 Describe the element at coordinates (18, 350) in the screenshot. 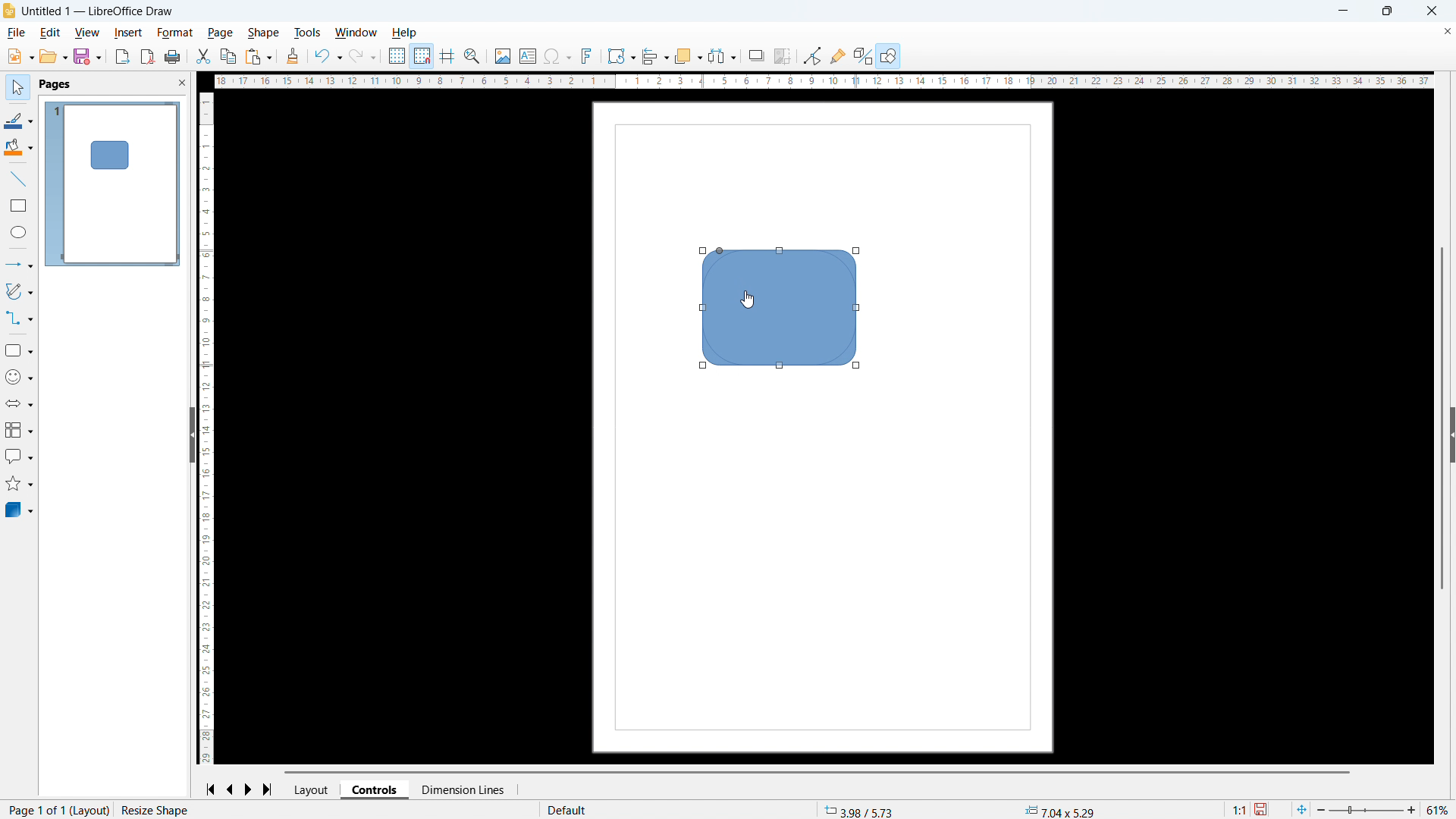

I see `Basic shapes ` at that location.